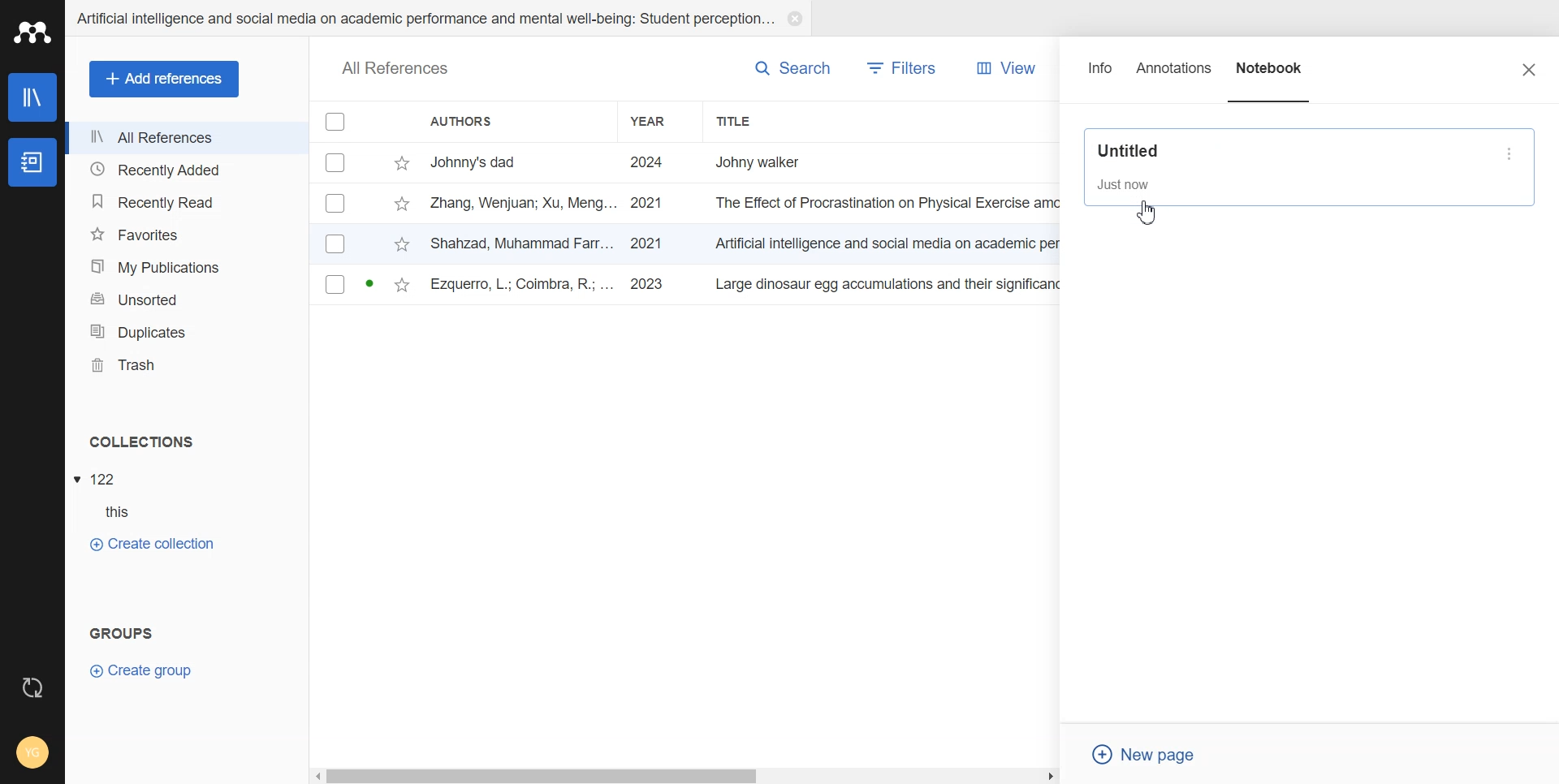 The image size is (1559, 784). Describe the element at coordinates (31, 163) in the screenshot. I see `Notebook` at that location.